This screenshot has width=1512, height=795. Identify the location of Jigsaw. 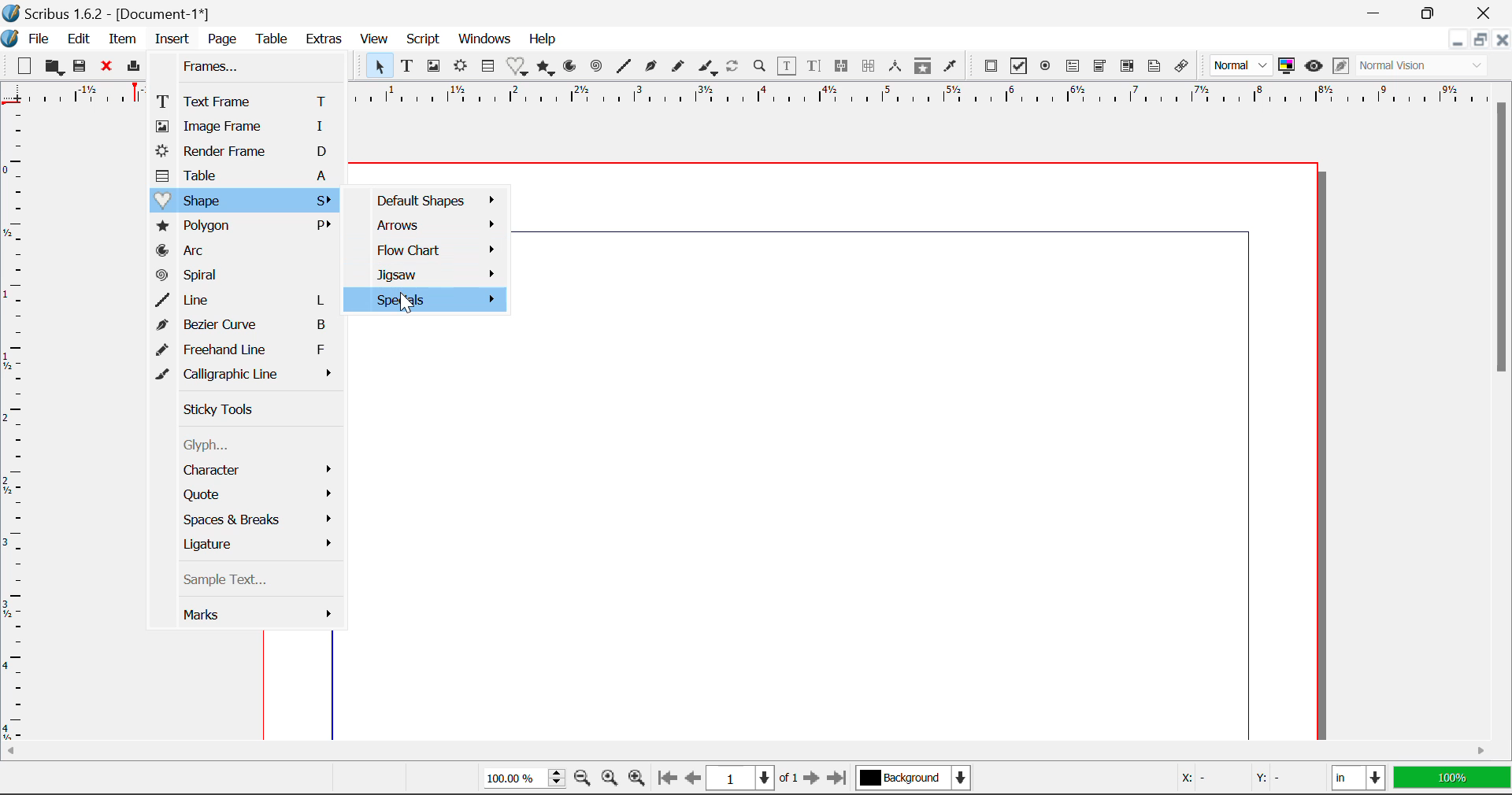
(426, 275).